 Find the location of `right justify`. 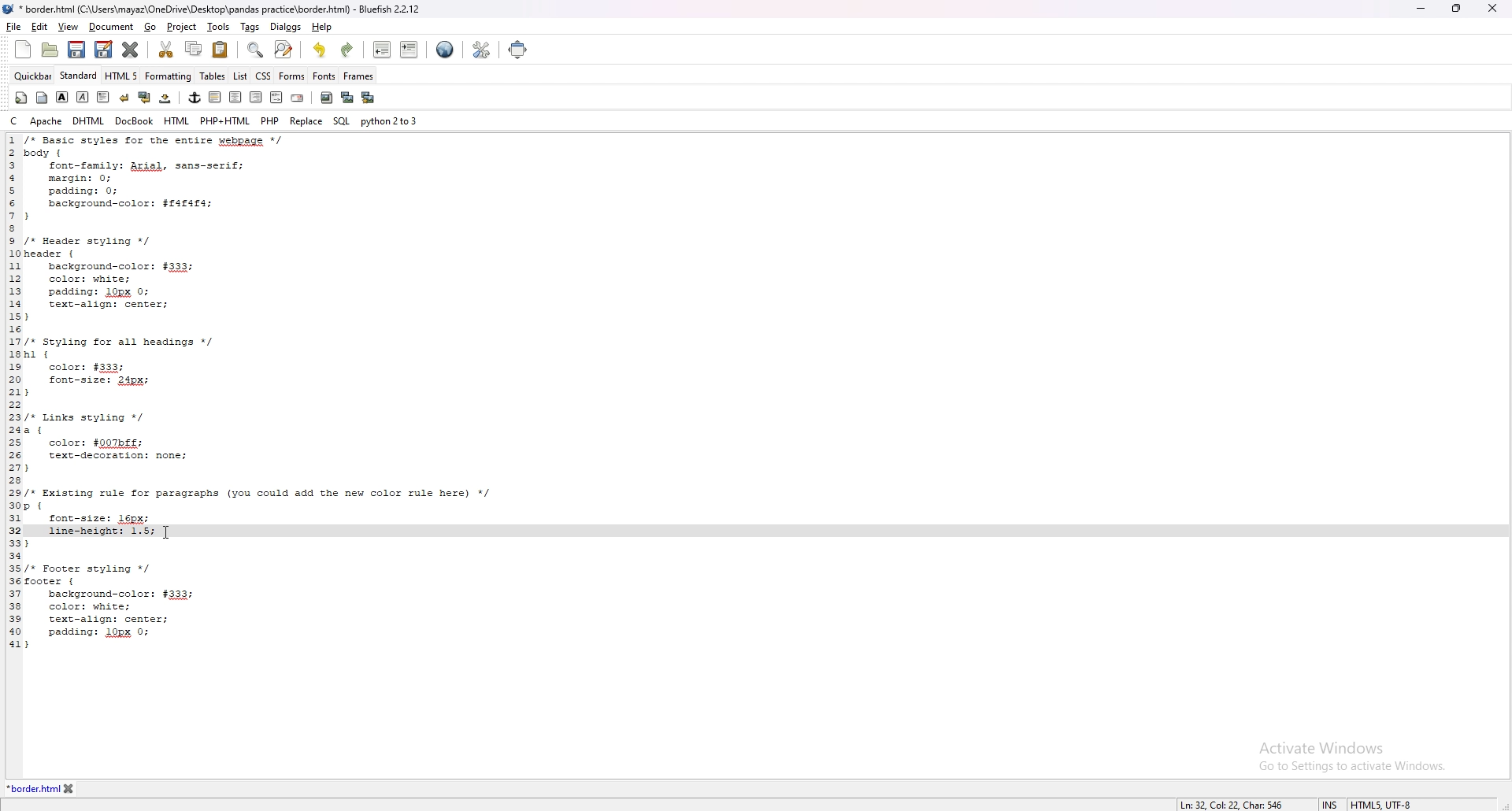

right justify is located at coordinates (258, 97).